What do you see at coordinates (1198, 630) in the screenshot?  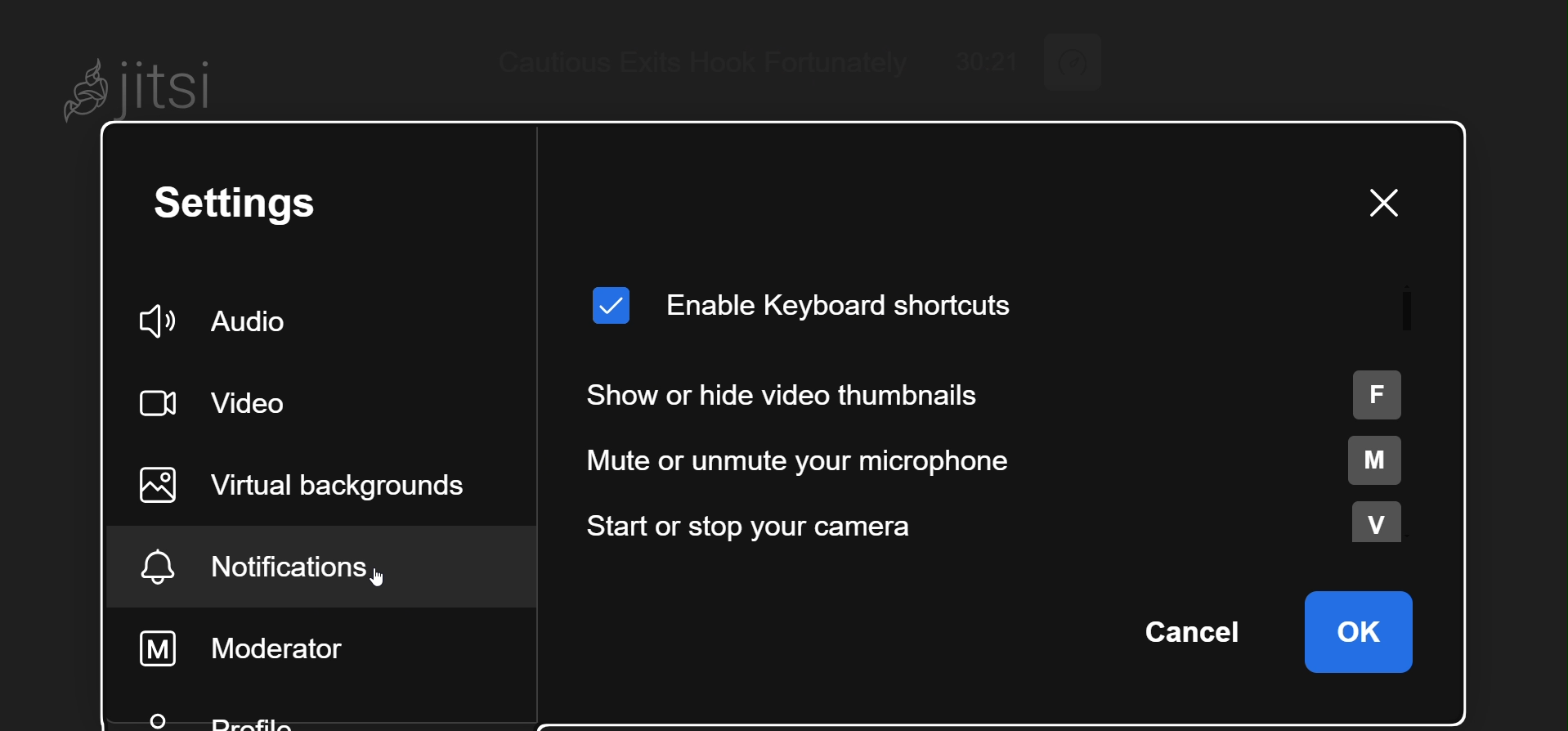 I see `cancel` at bounding box center [1198, 630].